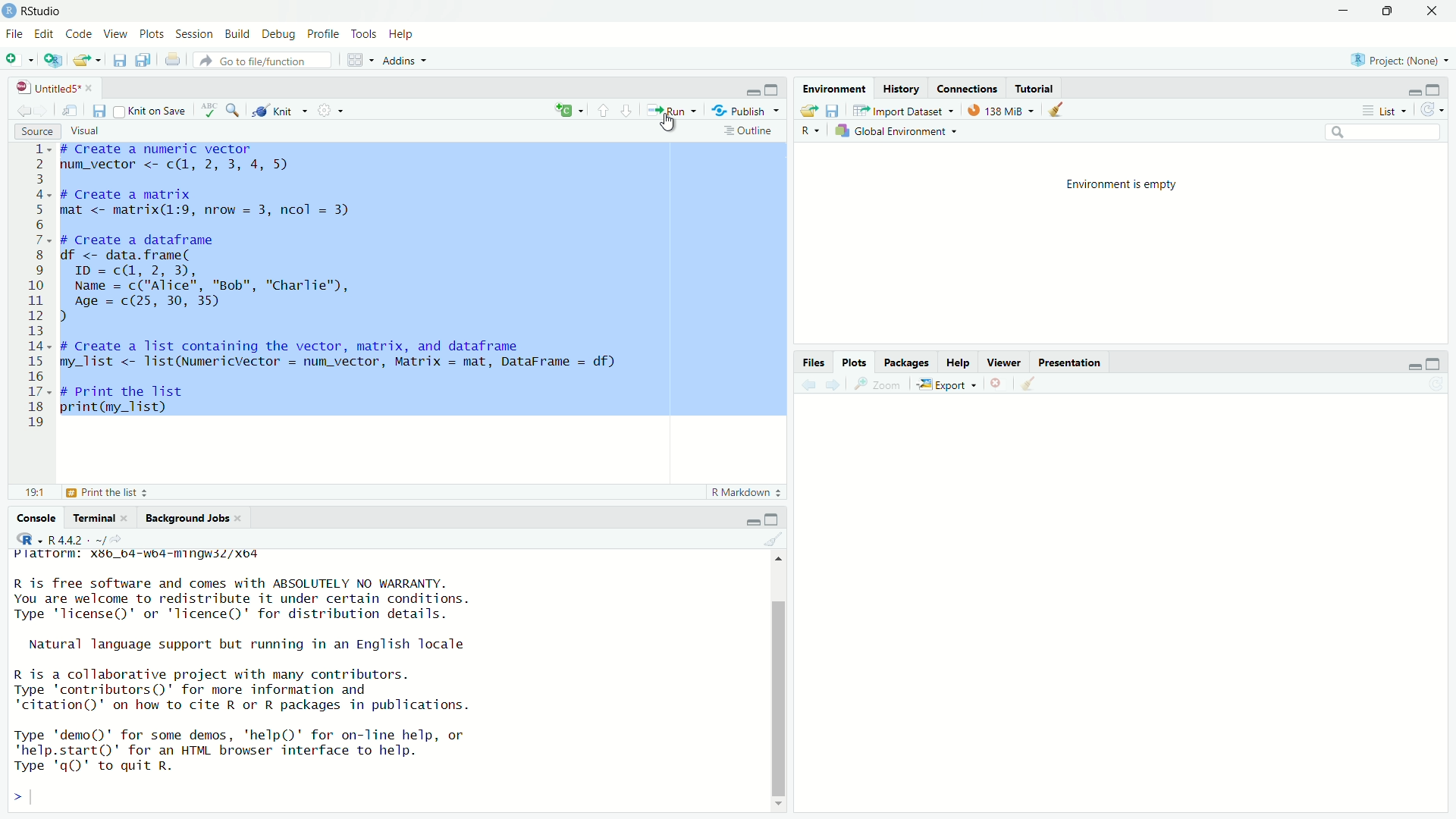  I want to click on save, so click(118, 63).